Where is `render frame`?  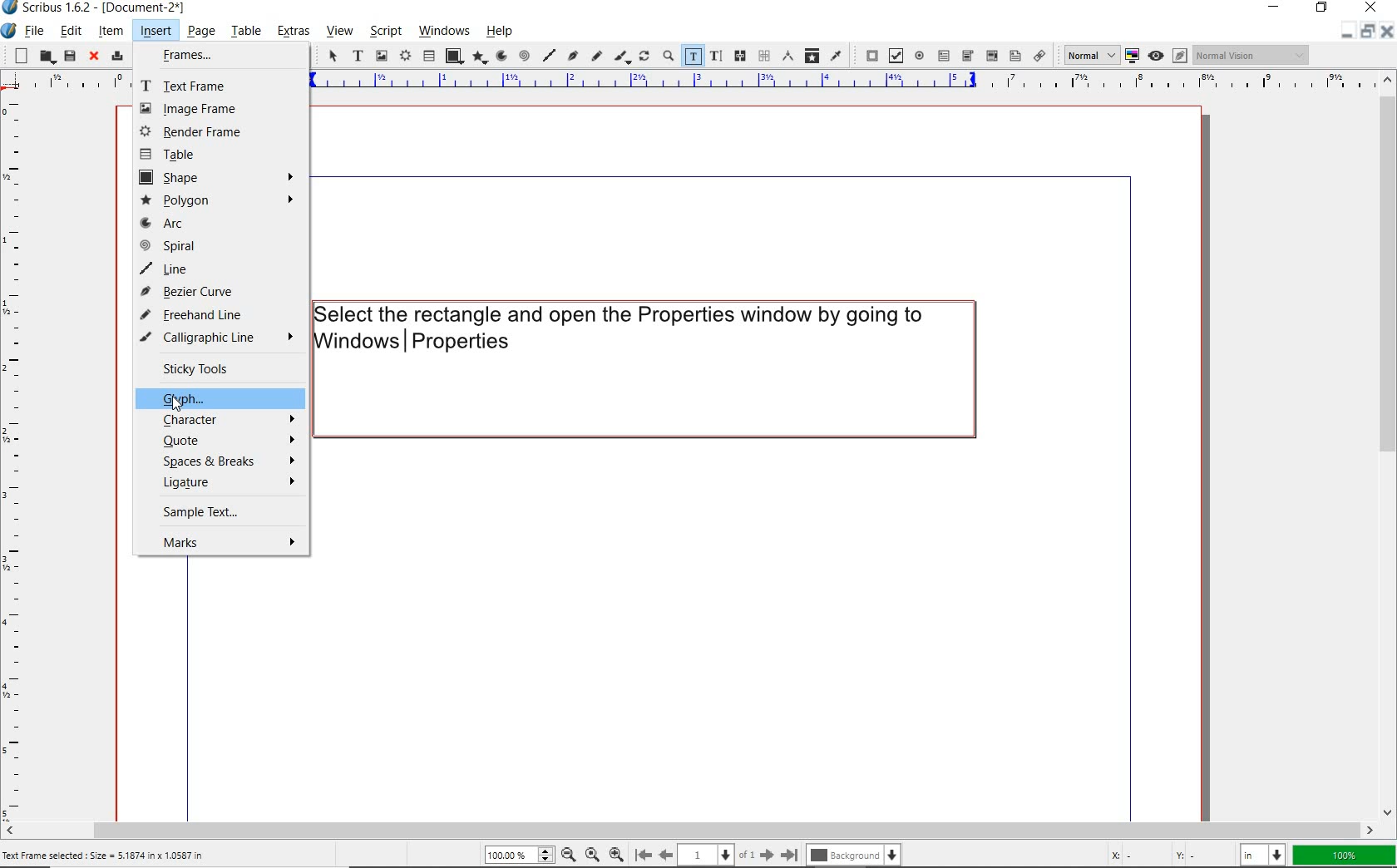 render frame is located at coordinates (210, 131).